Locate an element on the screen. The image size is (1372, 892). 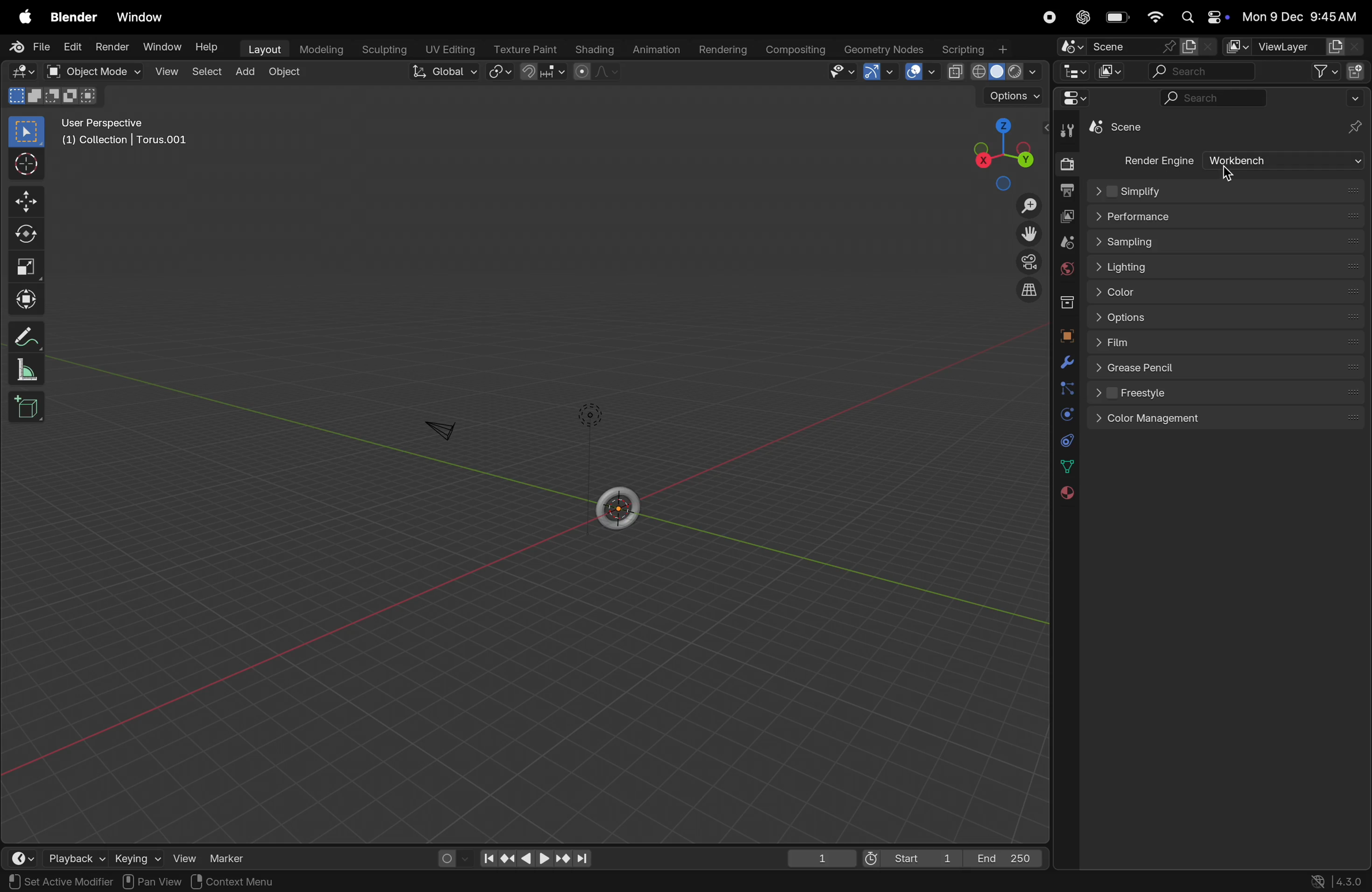
display mode is located at coordinates (1108, 73).